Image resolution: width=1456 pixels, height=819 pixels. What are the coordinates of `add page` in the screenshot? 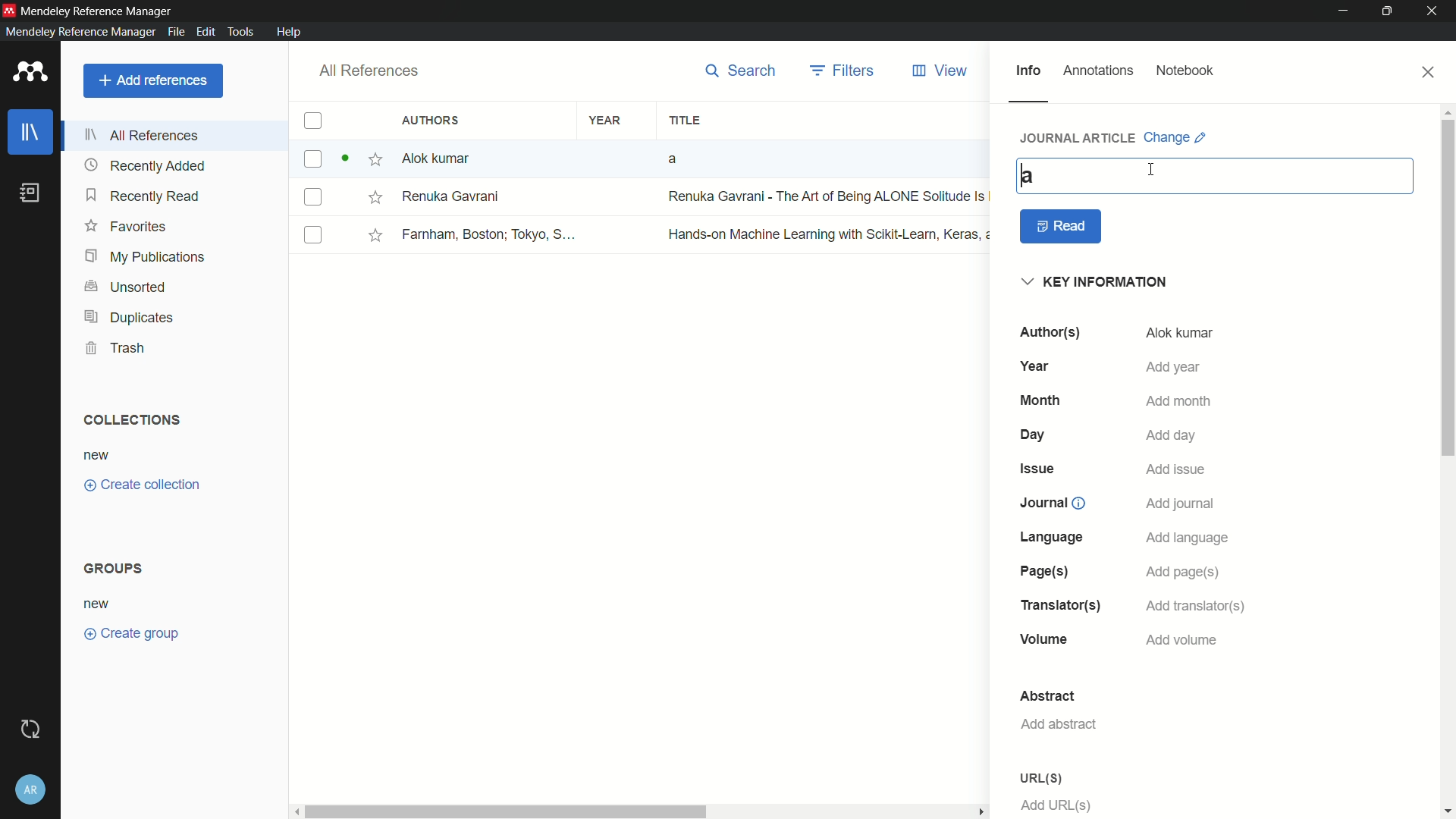 It's located at (1181, 573).